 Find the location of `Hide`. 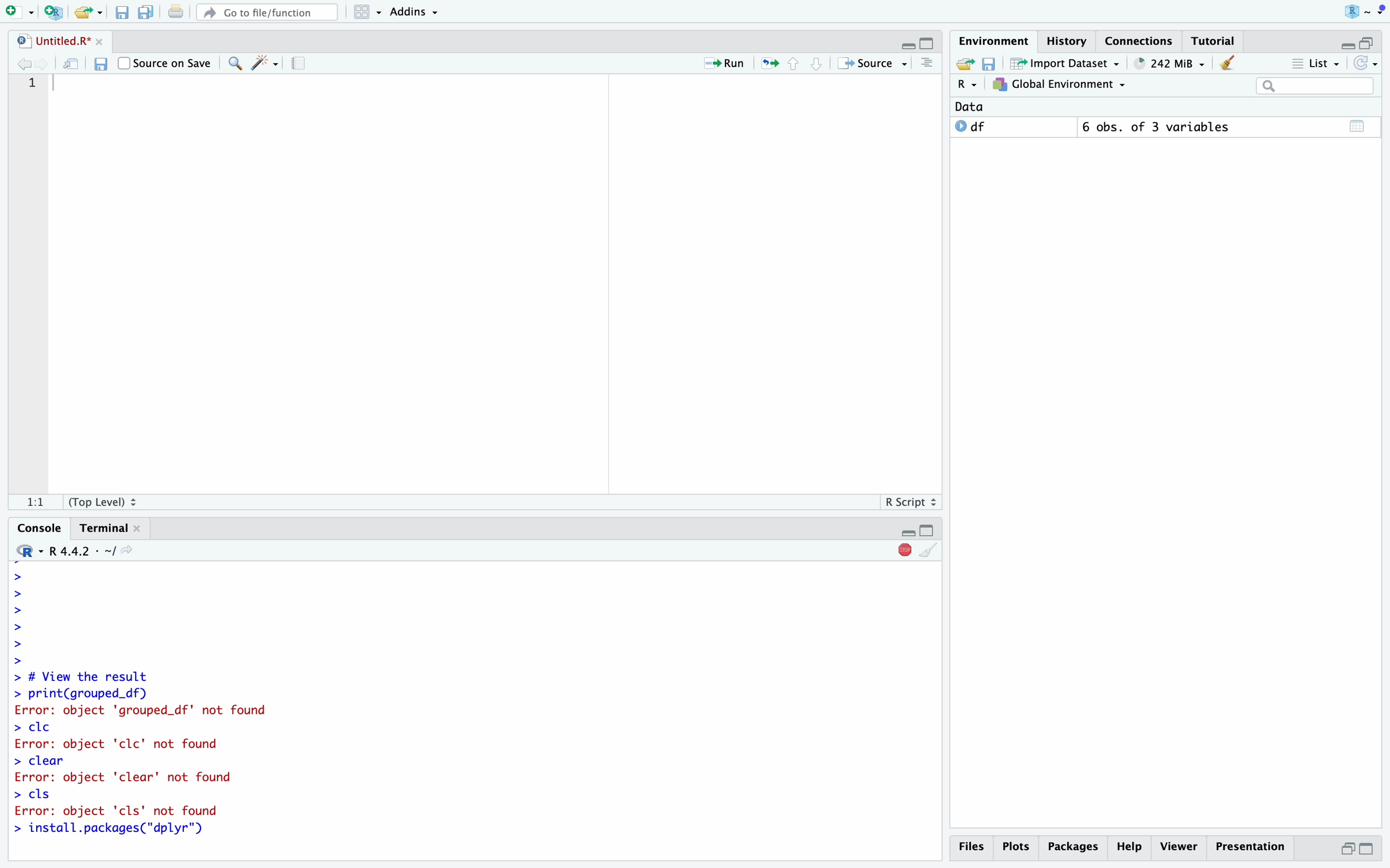

Hide is located at coordinates (906, 44).